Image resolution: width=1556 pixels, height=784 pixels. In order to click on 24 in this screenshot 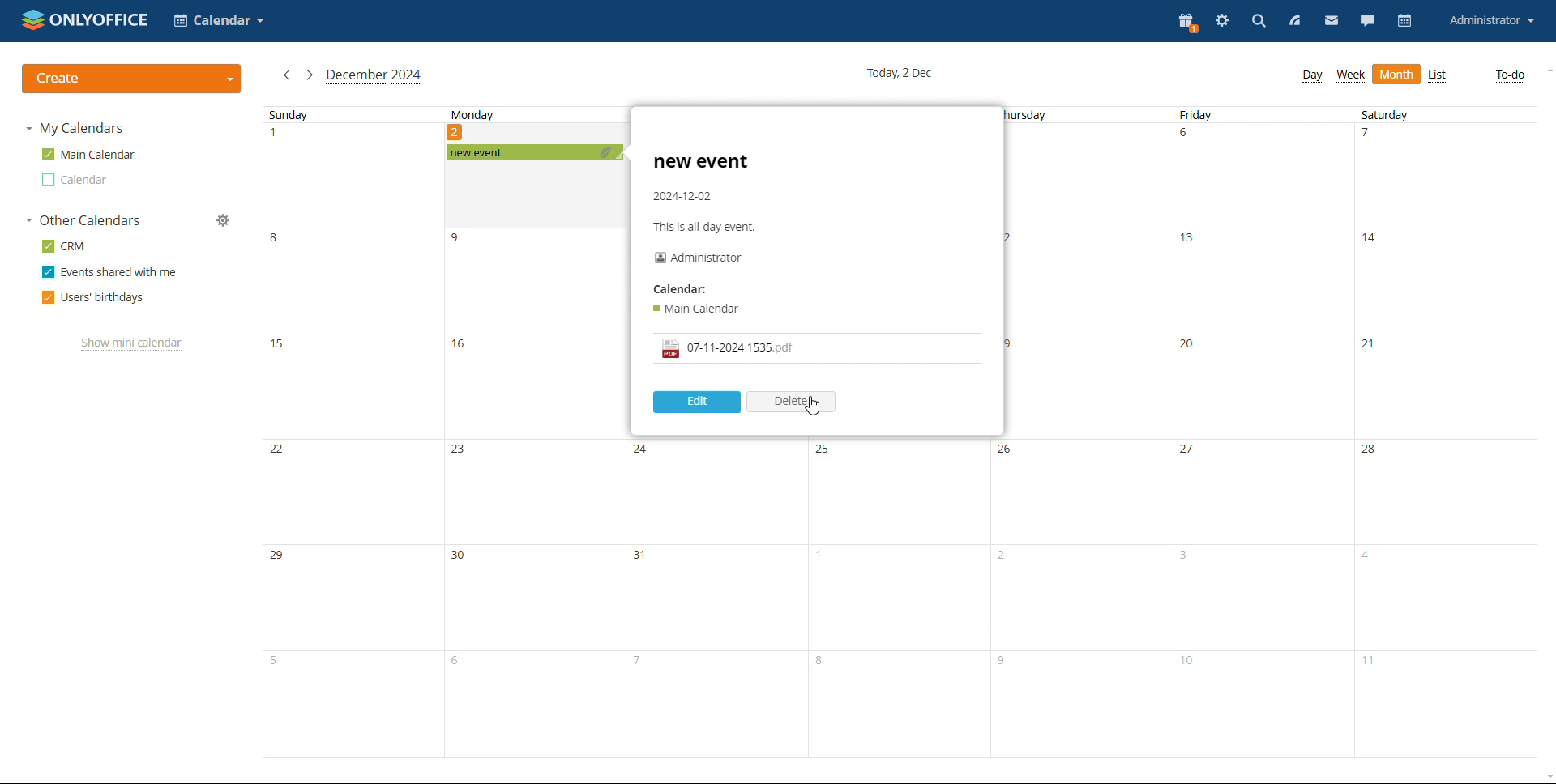, I will do `click(642, 450)`.